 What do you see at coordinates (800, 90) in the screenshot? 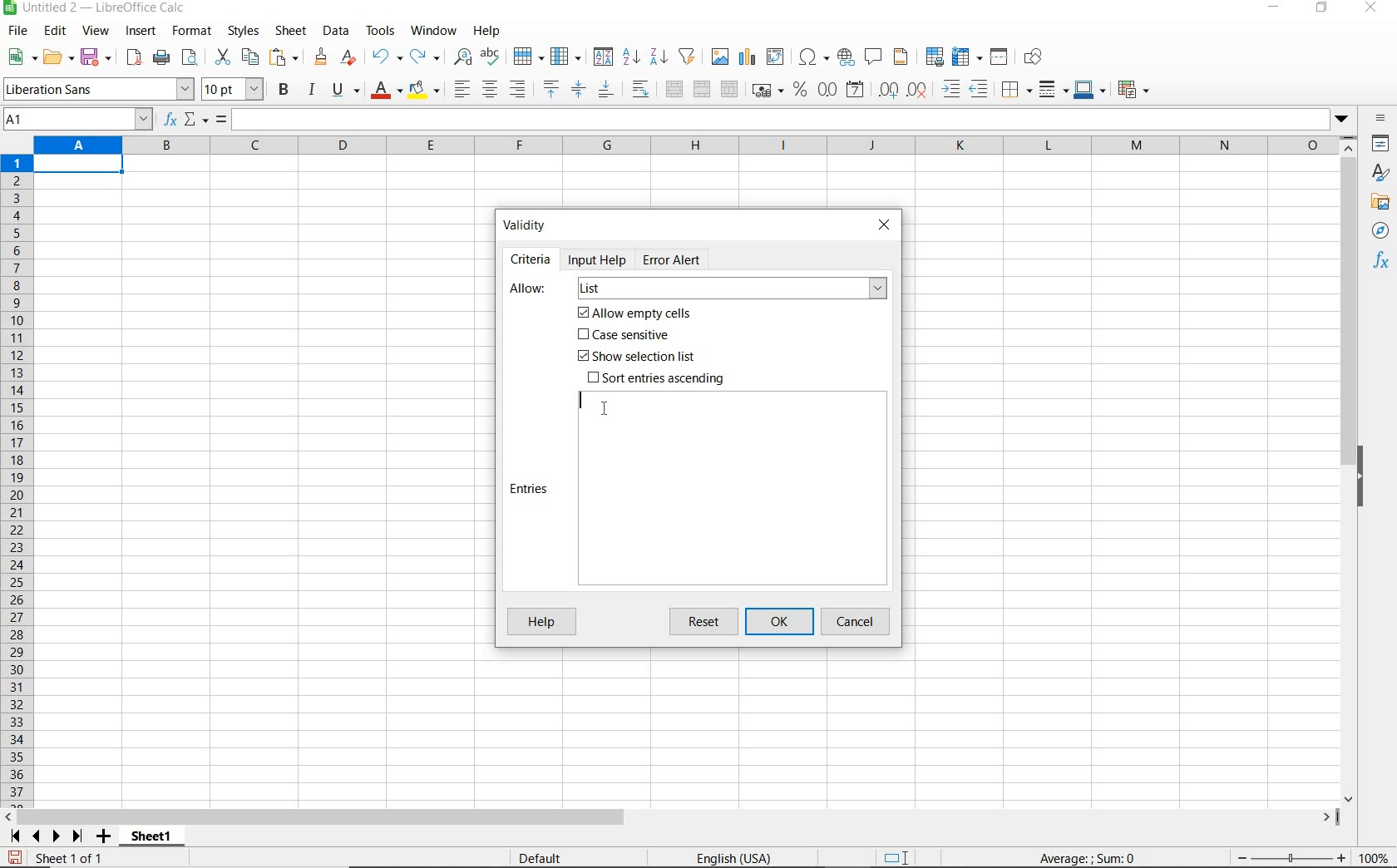
I see `format as percent` at bounding box center [800, 90].